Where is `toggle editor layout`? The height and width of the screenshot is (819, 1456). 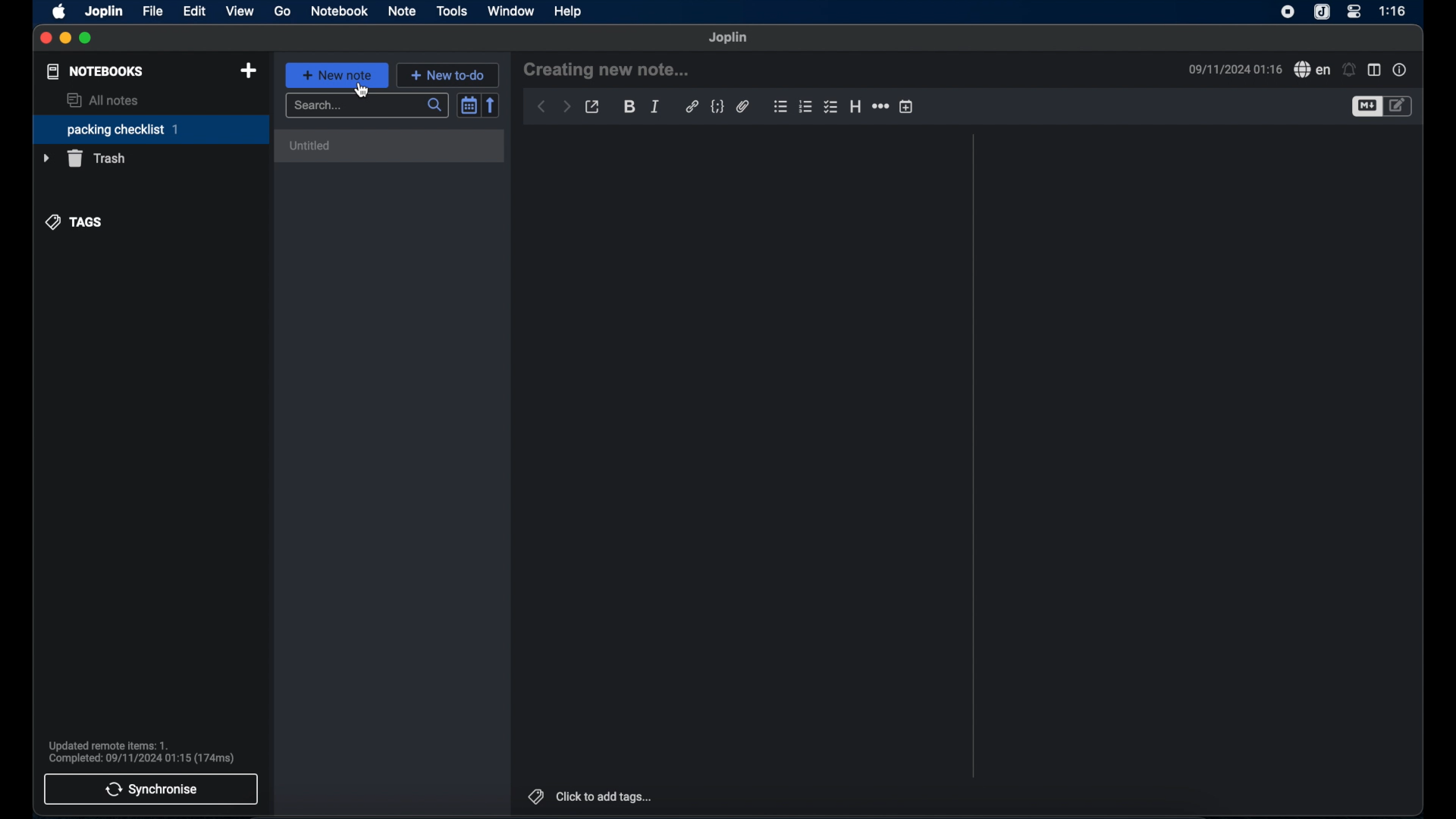
toggle editor layout is located at coordinates (1375, 69).